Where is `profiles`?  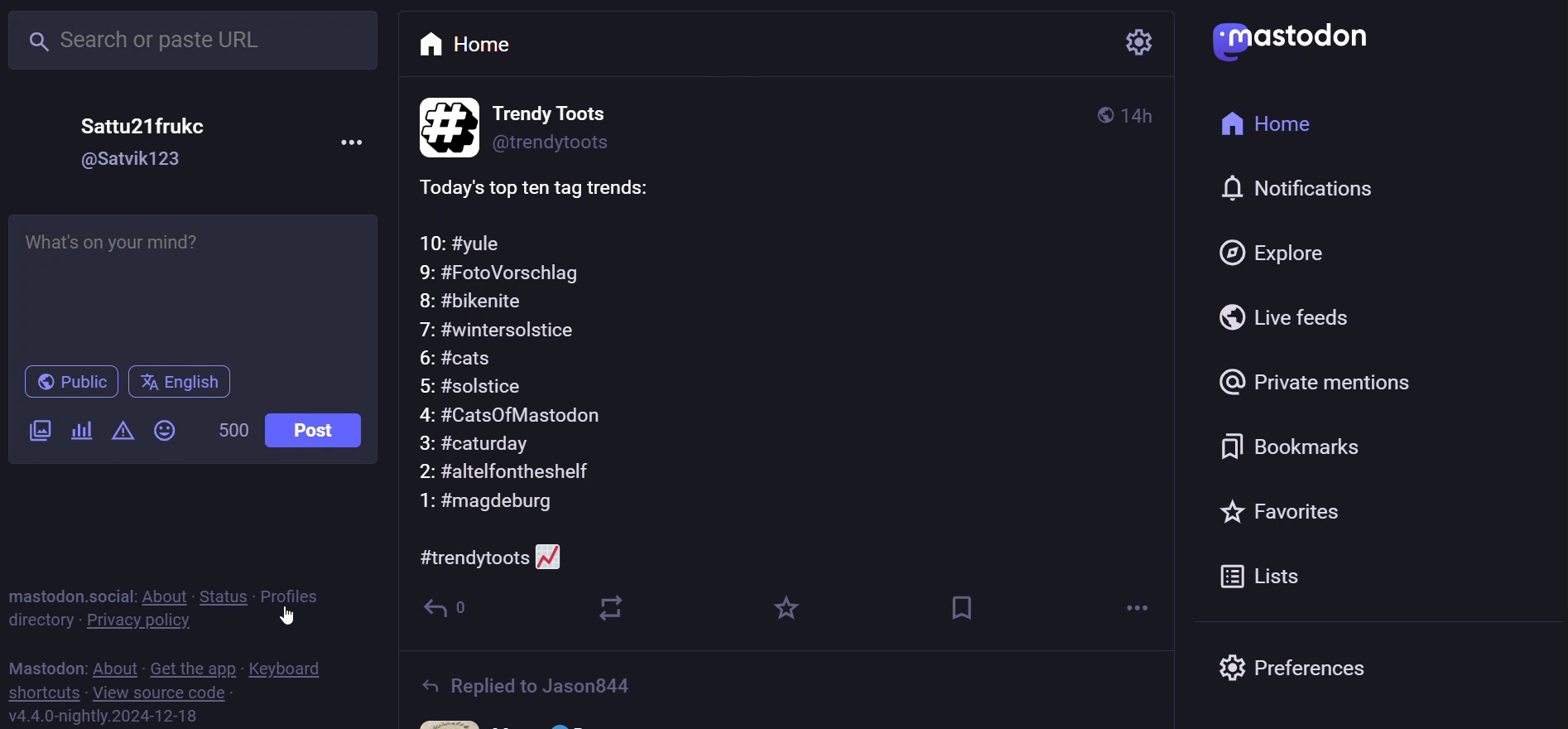
profiles is located at coordinates (296, 594).